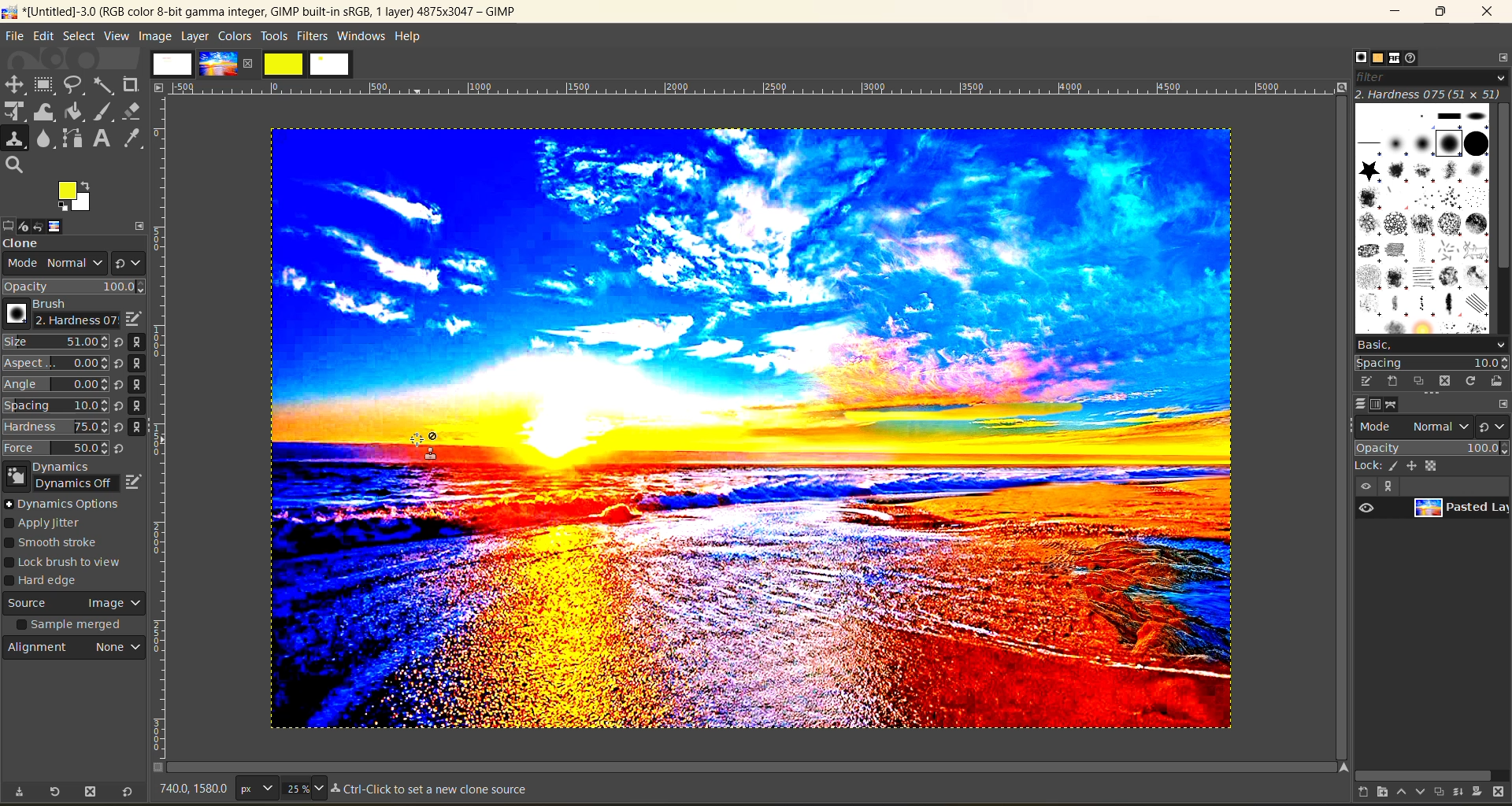  Describe the element at coordinates (9, 224) in the screenshot. I see `tool options` at that location.